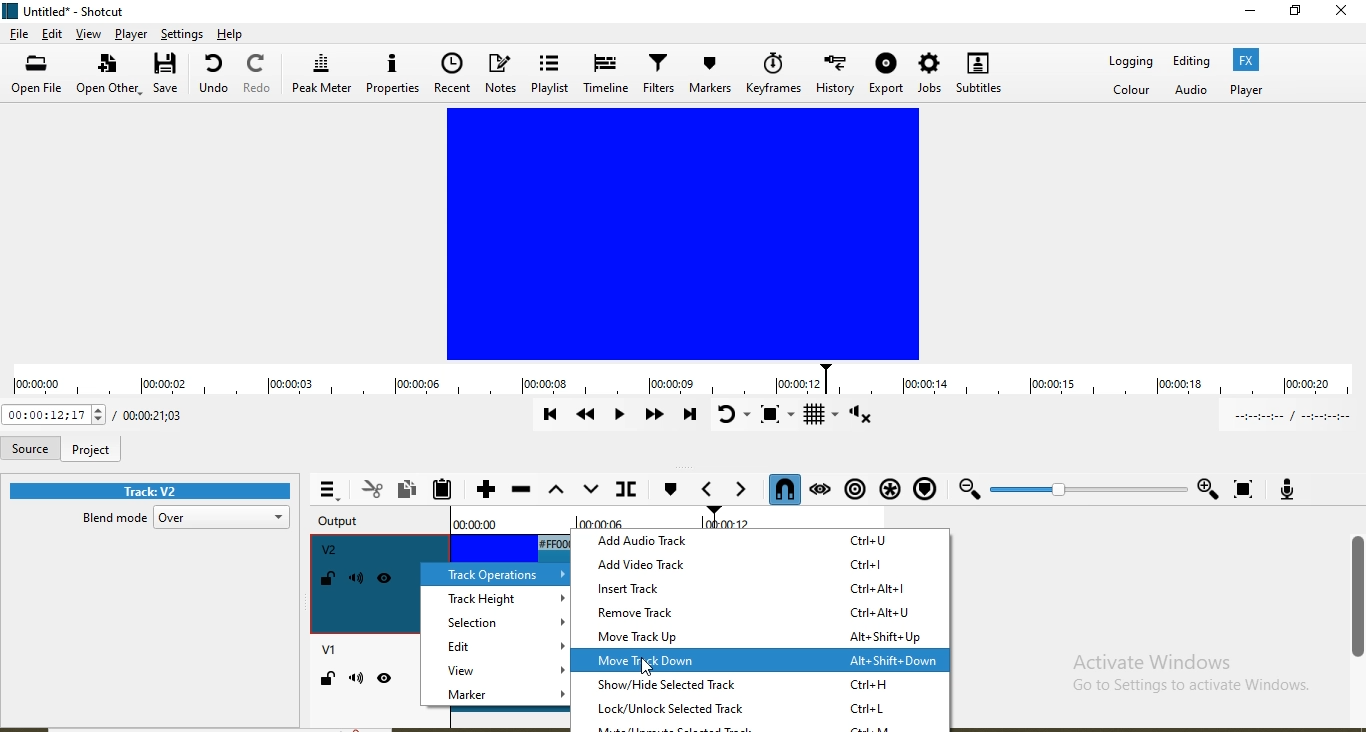 Image resolution: width=1366 pixels, height=732 pixels. What do you see at coordinates (659, 78) in the screenshot?
I see `Filters` at bounding box center [659, 78].